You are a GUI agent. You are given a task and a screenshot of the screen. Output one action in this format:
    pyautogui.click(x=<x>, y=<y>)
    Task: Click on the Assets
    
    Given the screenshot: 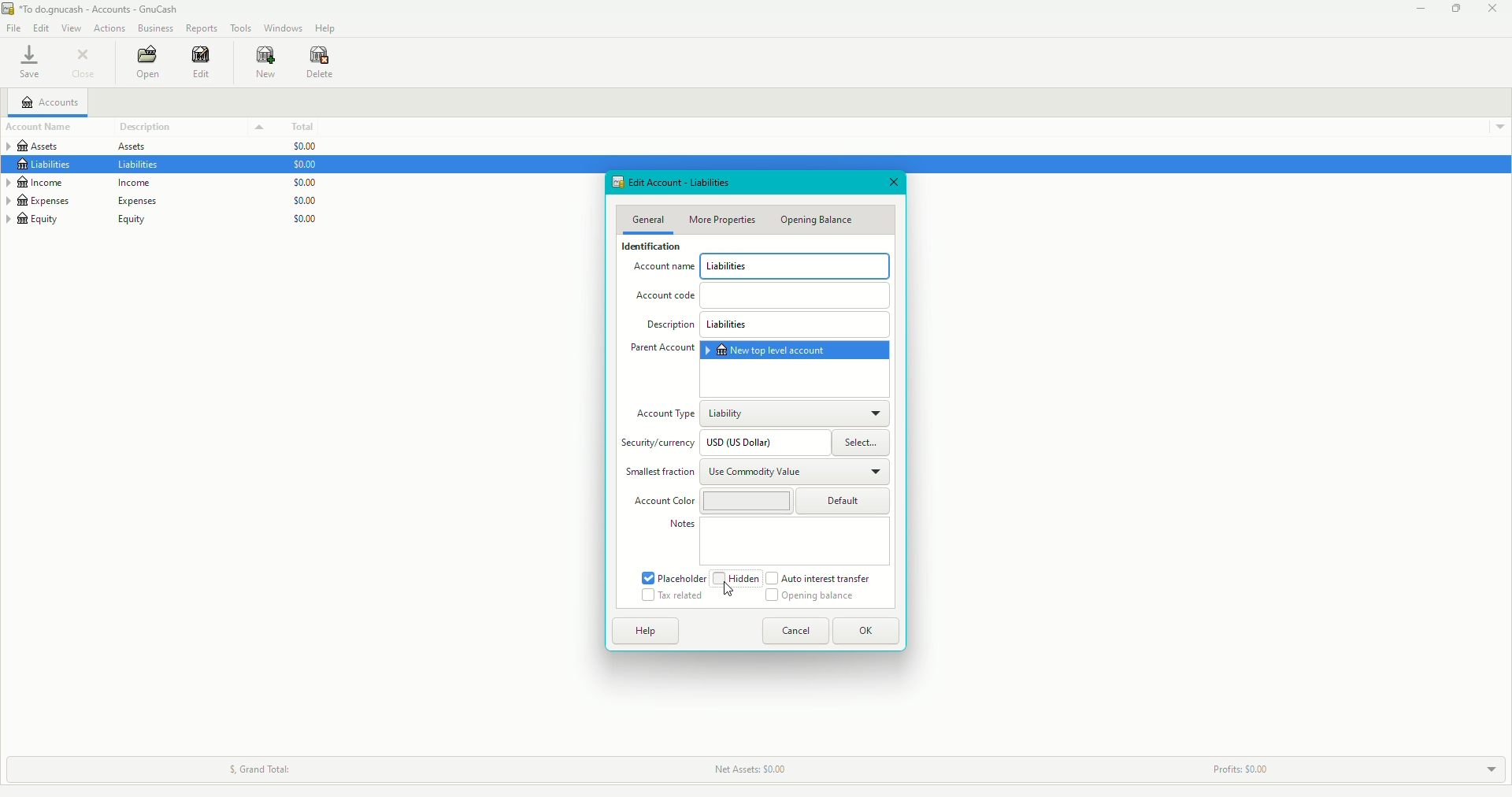 What is the action you would take?
    pyautogui.click(x=87, y=146)
    